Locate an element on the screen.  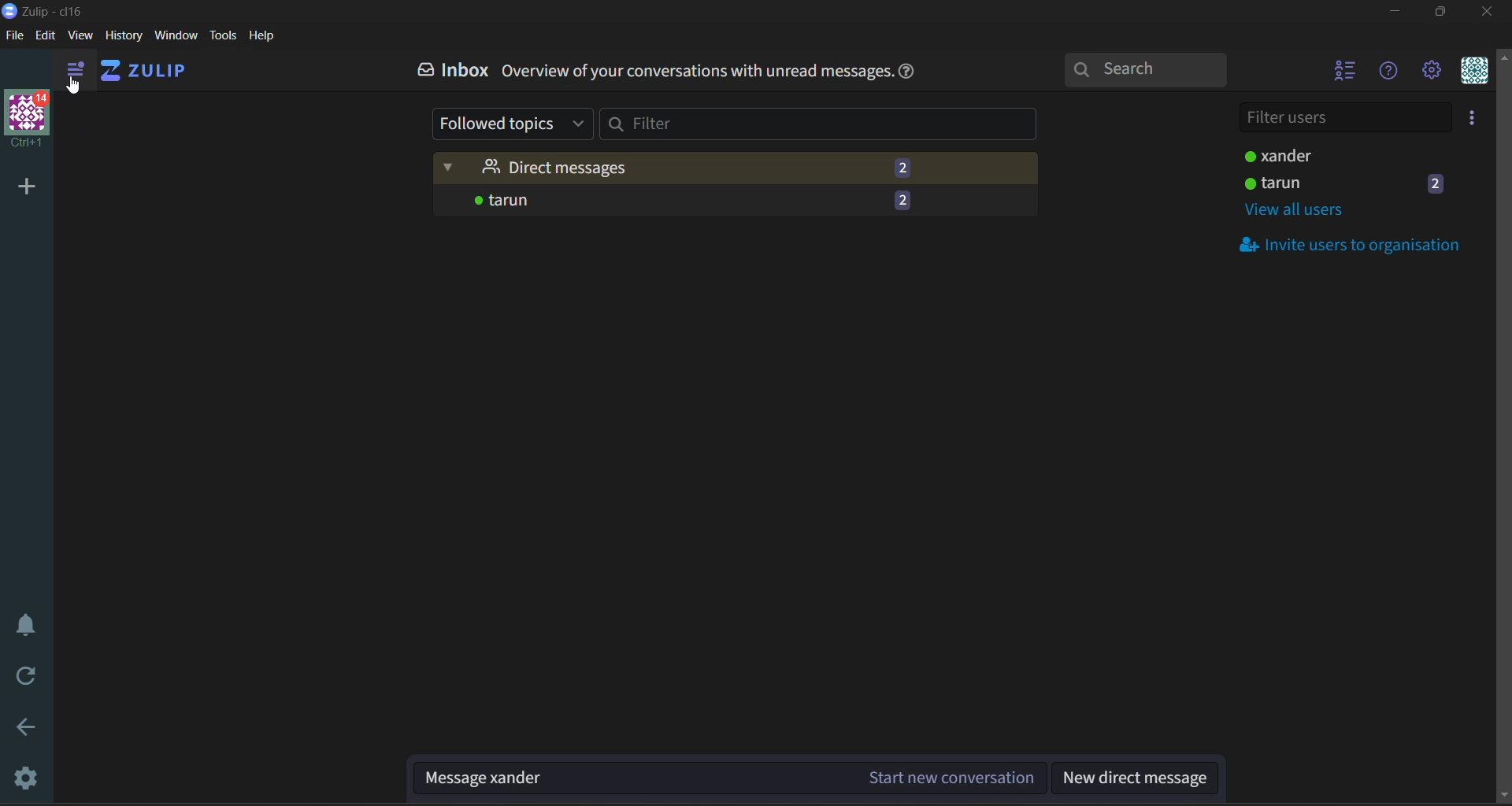
tarun -2 (messages) is located at coordinates (736, 205).